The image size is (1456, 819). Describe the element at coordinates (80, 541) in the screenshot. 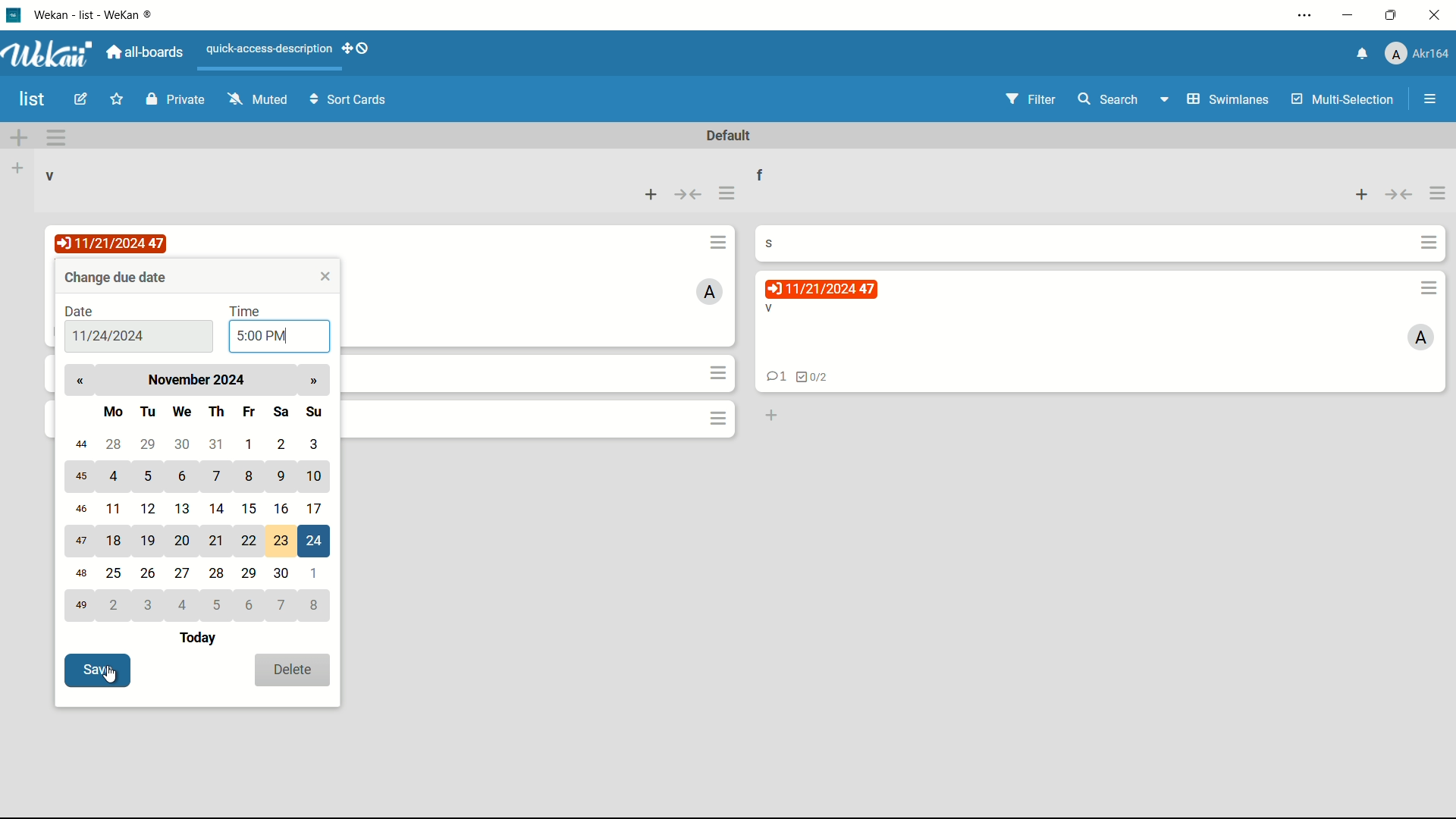

I see `47` at that location.